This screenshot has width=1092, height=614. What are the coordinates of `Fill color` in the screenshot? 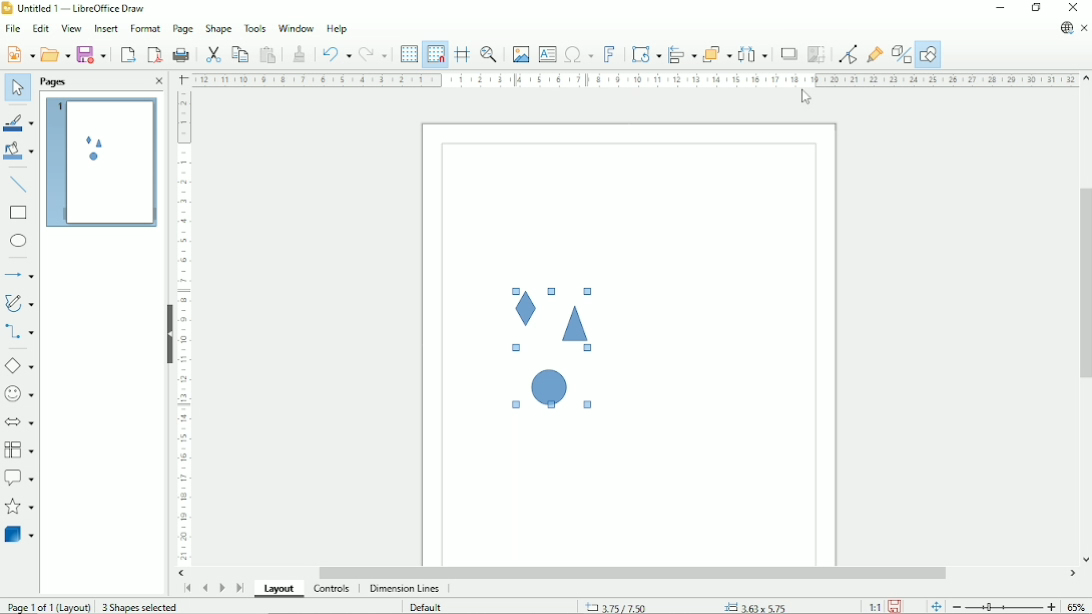 It's located at (19, 152).